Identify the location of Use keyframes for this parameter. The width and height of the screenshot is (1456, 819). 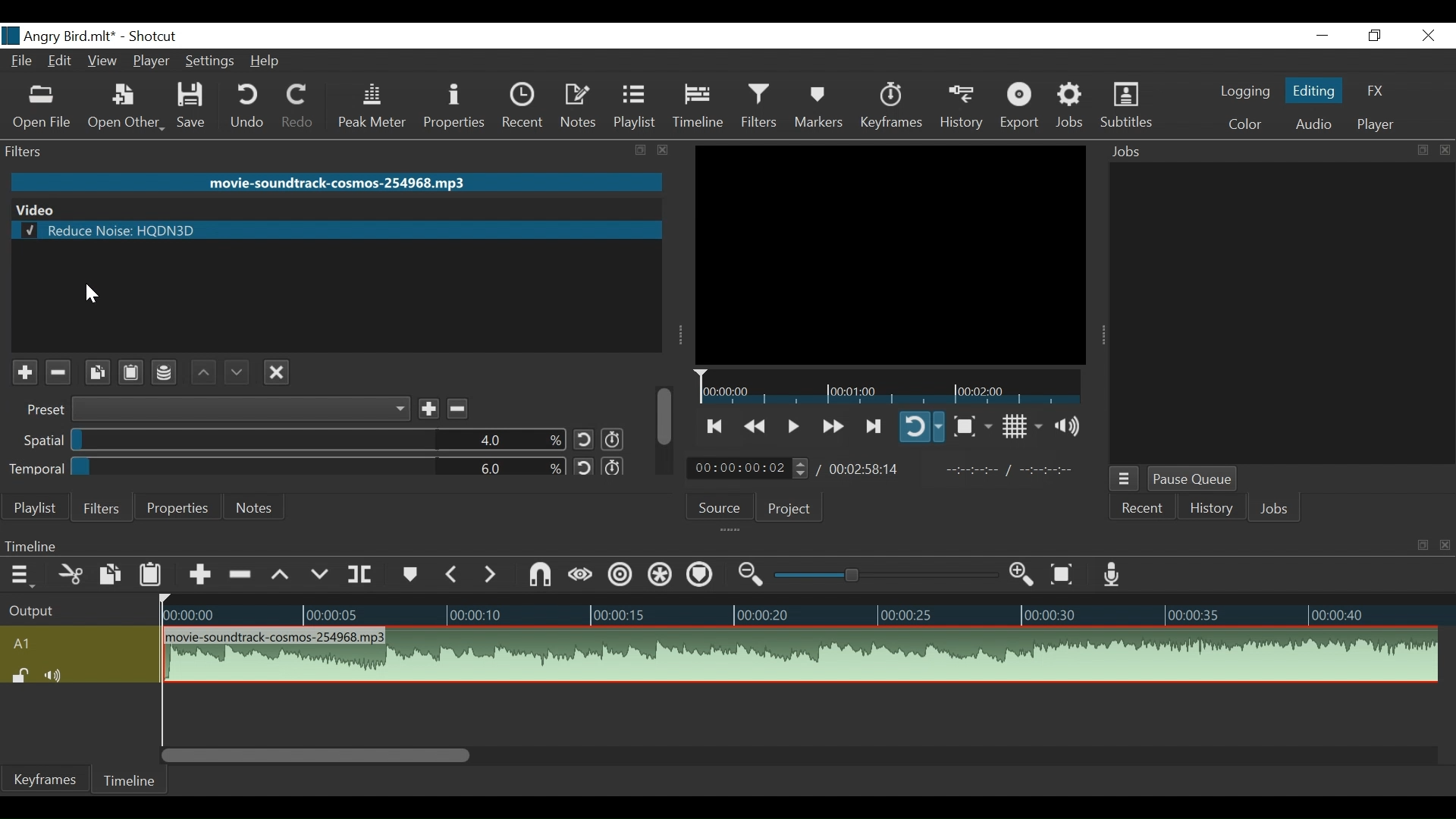
(613, 466).